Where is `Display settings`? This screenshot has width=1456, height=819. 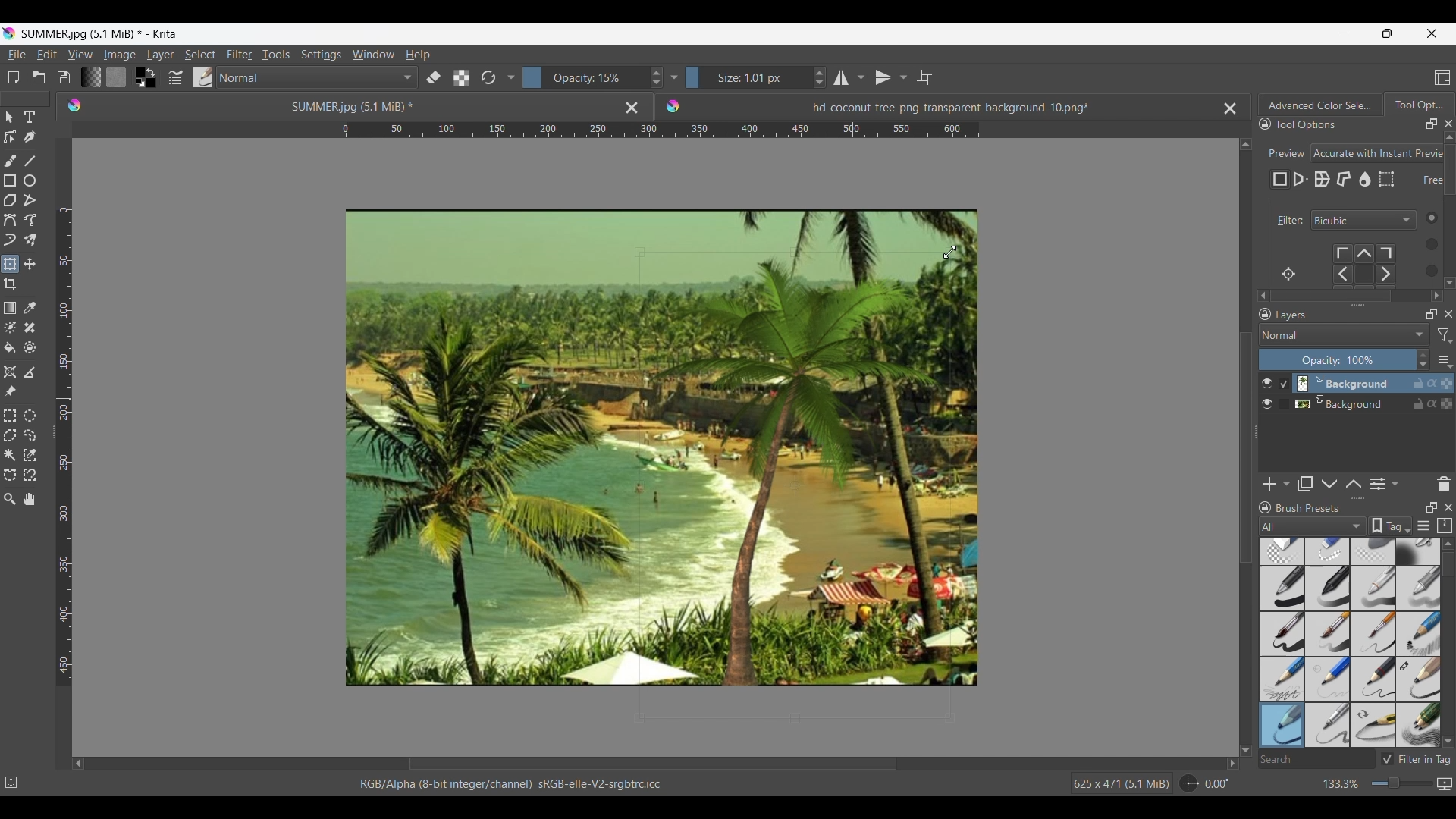
Display settings is located at coordinates (1423, 527).